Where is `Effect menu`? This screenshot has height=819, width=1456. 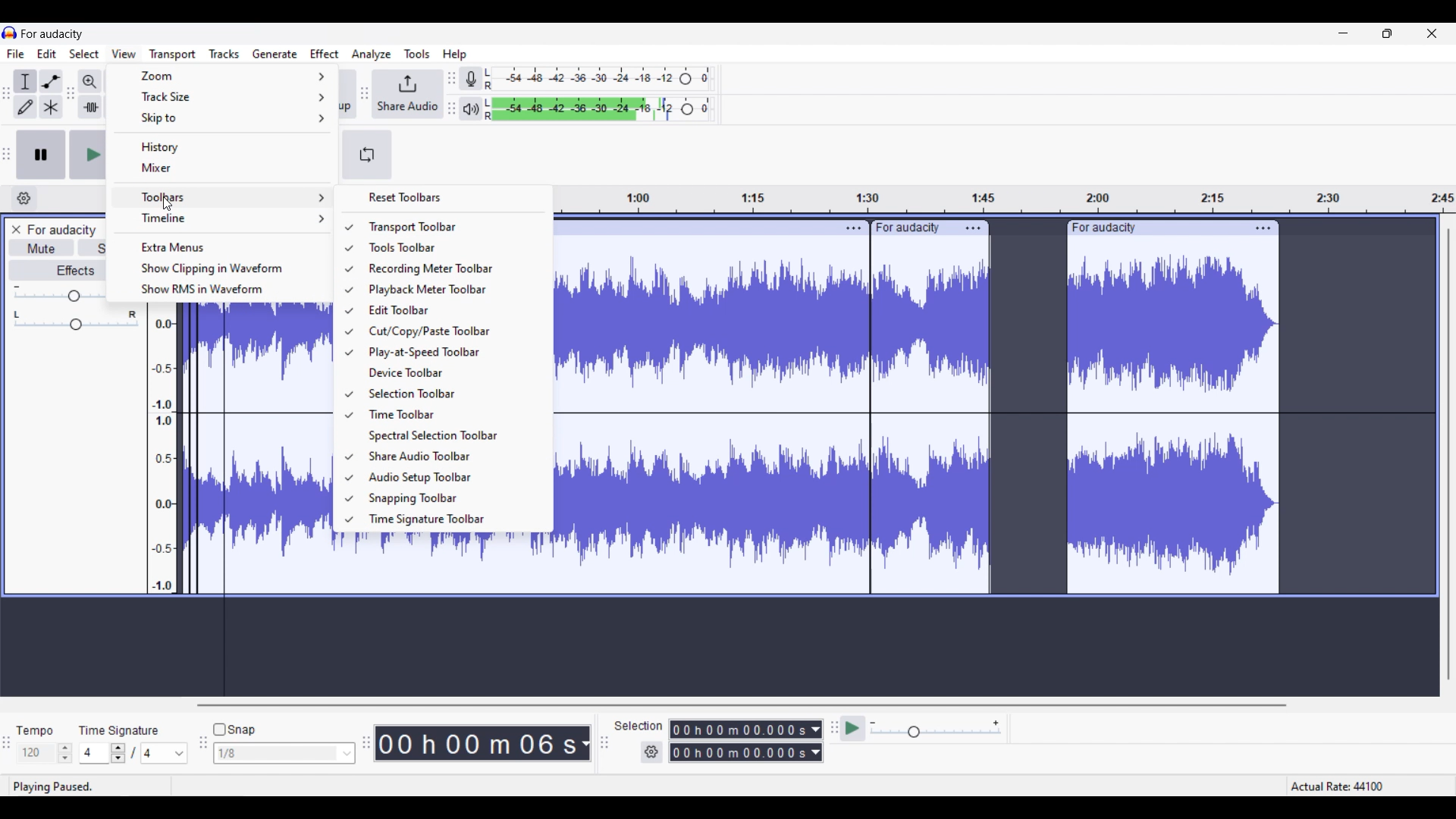
Effect menu is located at coordinates (325, 53).